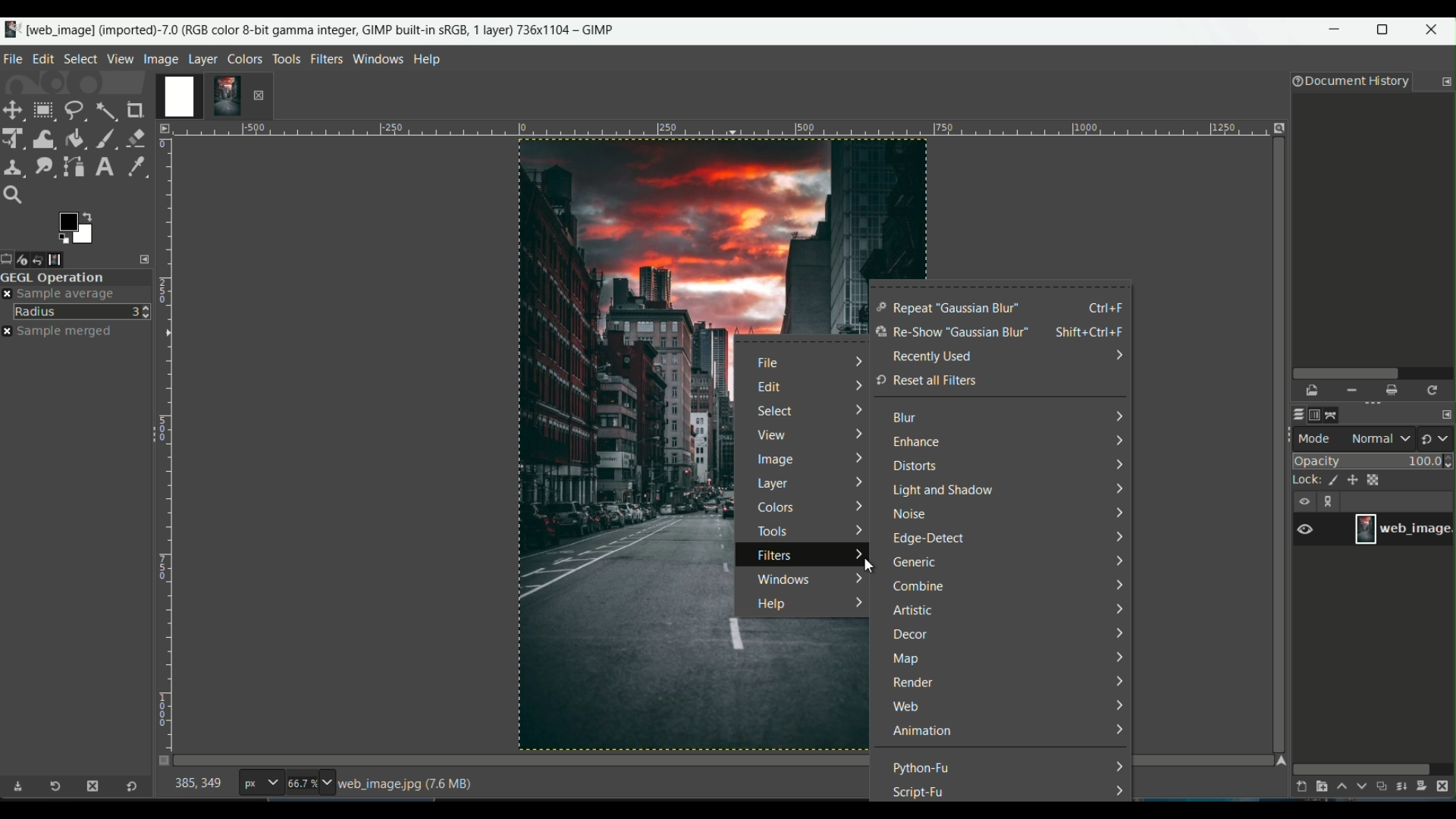  I want to click on layers, so click(1295, 415).